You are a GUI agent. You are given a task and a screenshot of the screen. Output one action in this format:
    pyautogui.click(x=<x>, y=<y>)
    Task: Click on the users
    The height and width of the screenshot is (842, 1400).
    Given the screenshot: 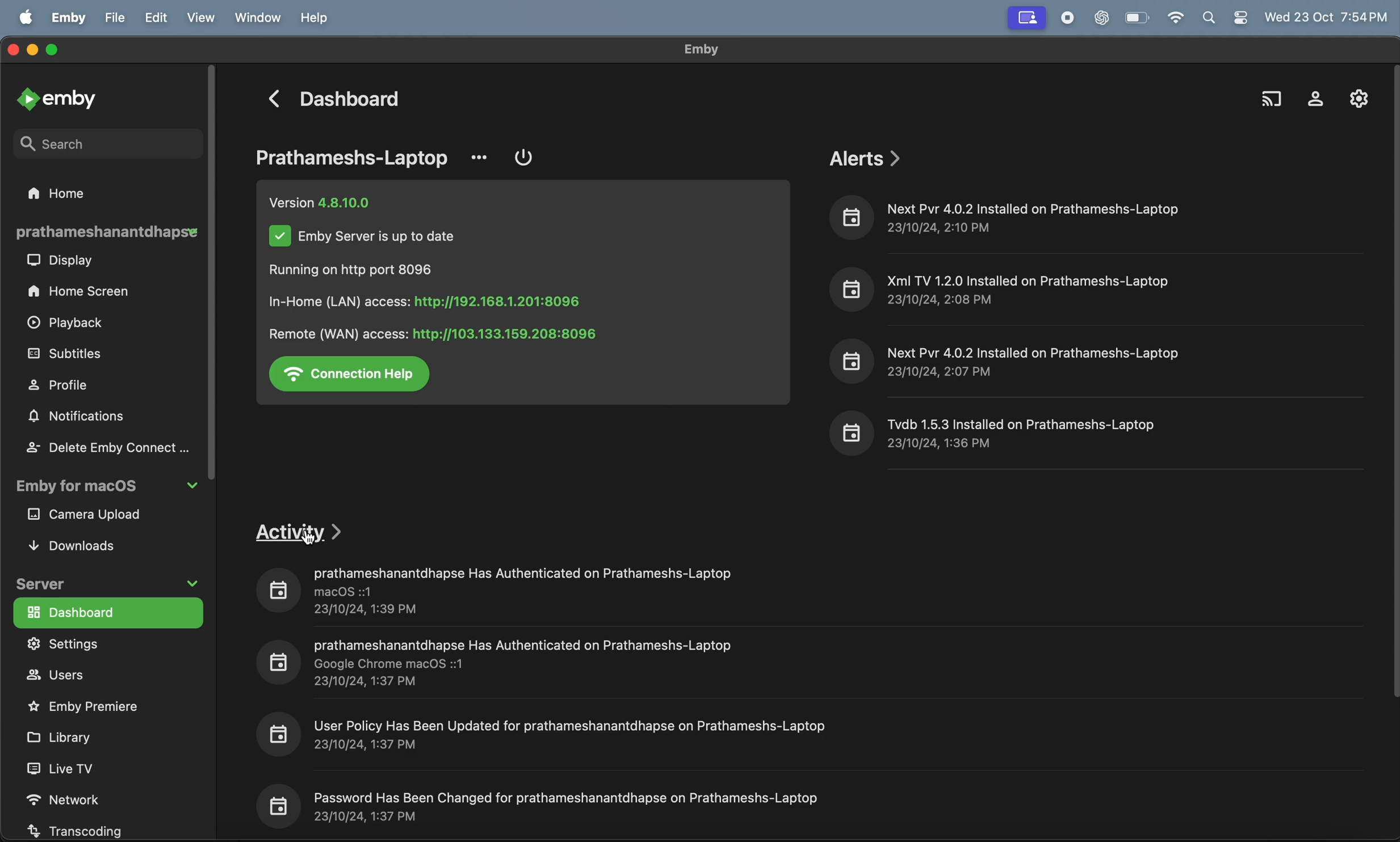 What is the action you would take?
    pyautogui.click(x=90, y=676)
    